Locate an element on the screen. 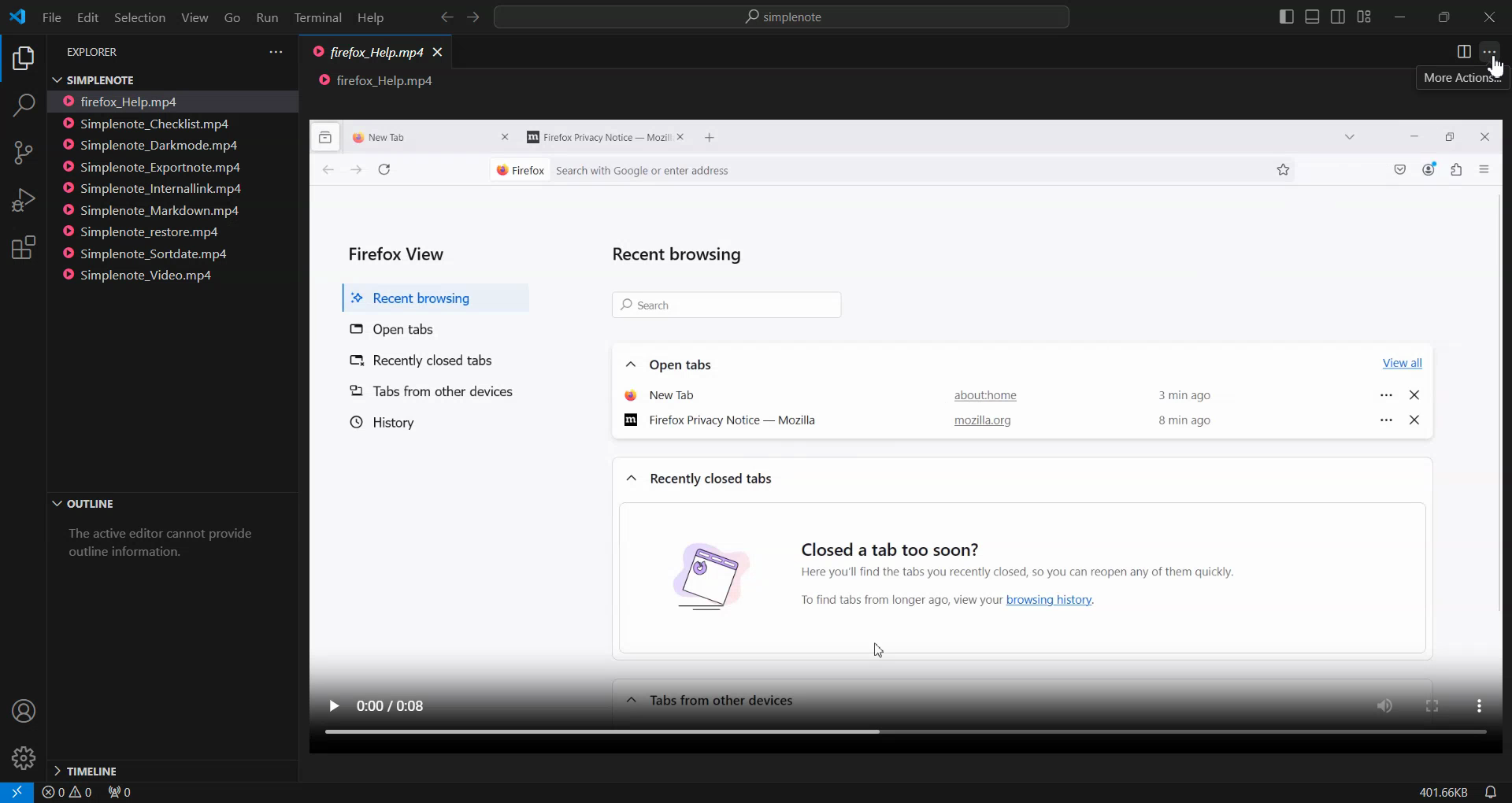  close is located at coordinates (1482, 136).